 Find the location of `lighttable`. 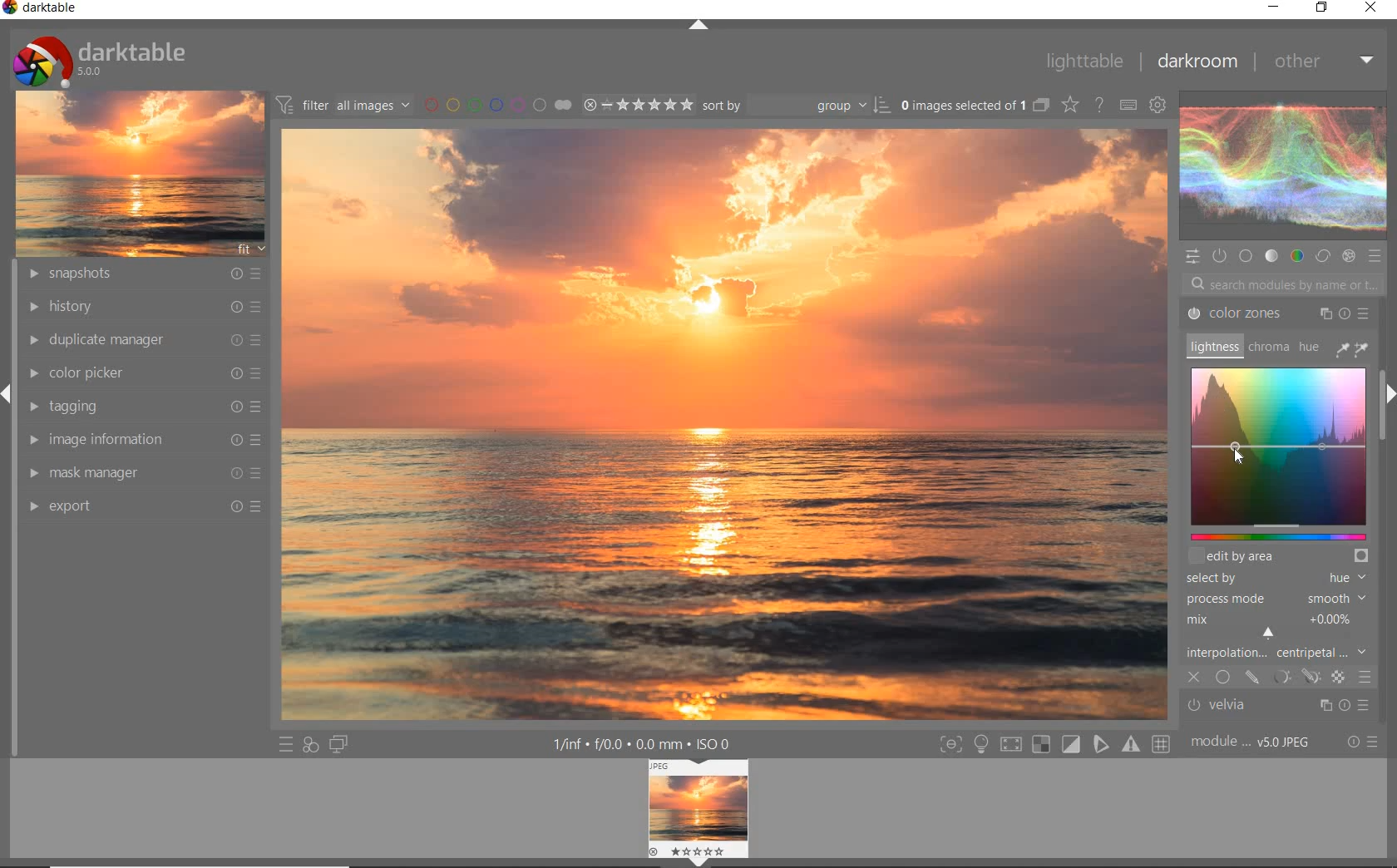

lighttable is located at coordinates (1083, 61).